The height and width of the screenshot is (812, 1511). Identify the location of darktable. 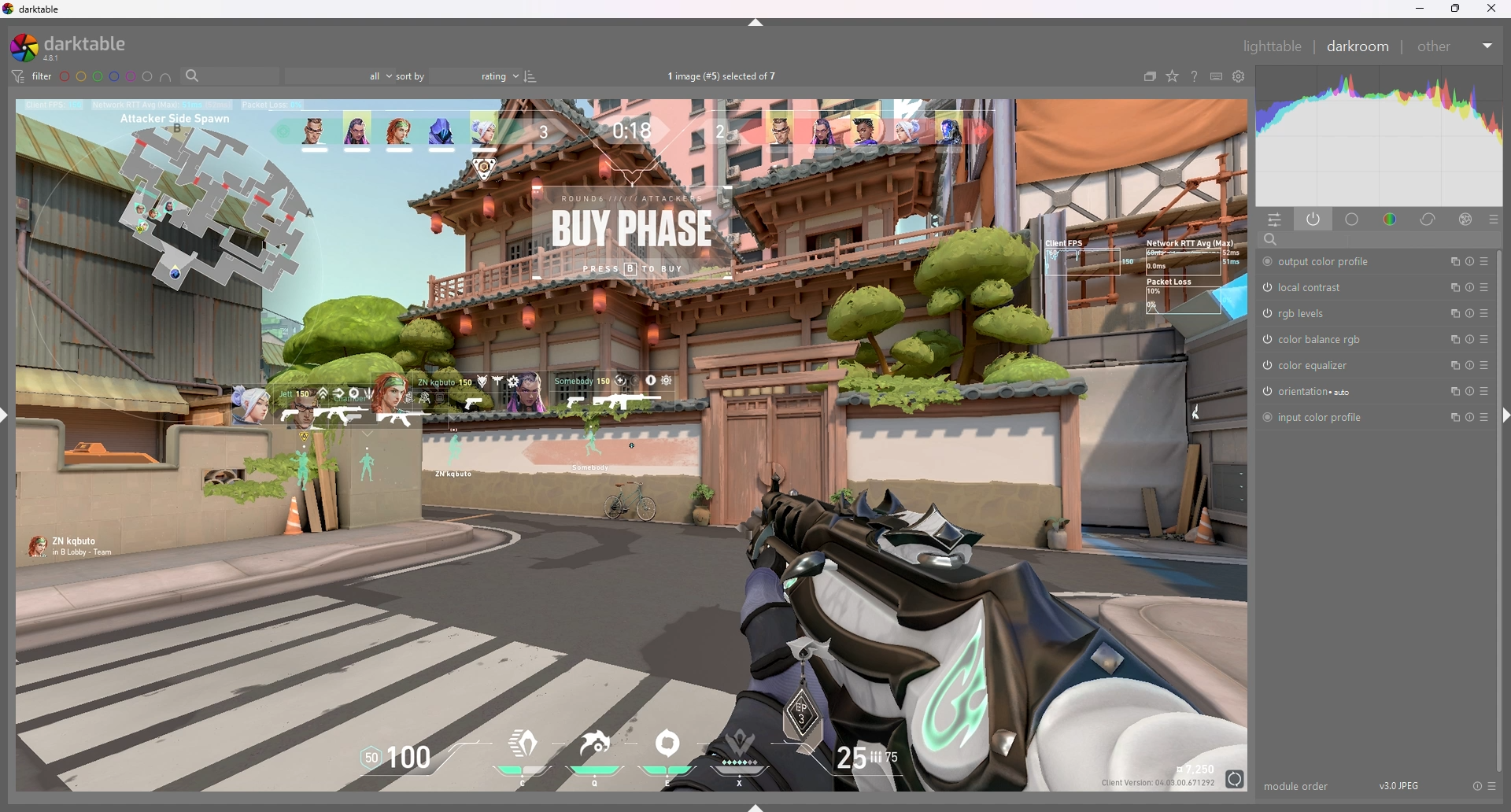
(77, 46).